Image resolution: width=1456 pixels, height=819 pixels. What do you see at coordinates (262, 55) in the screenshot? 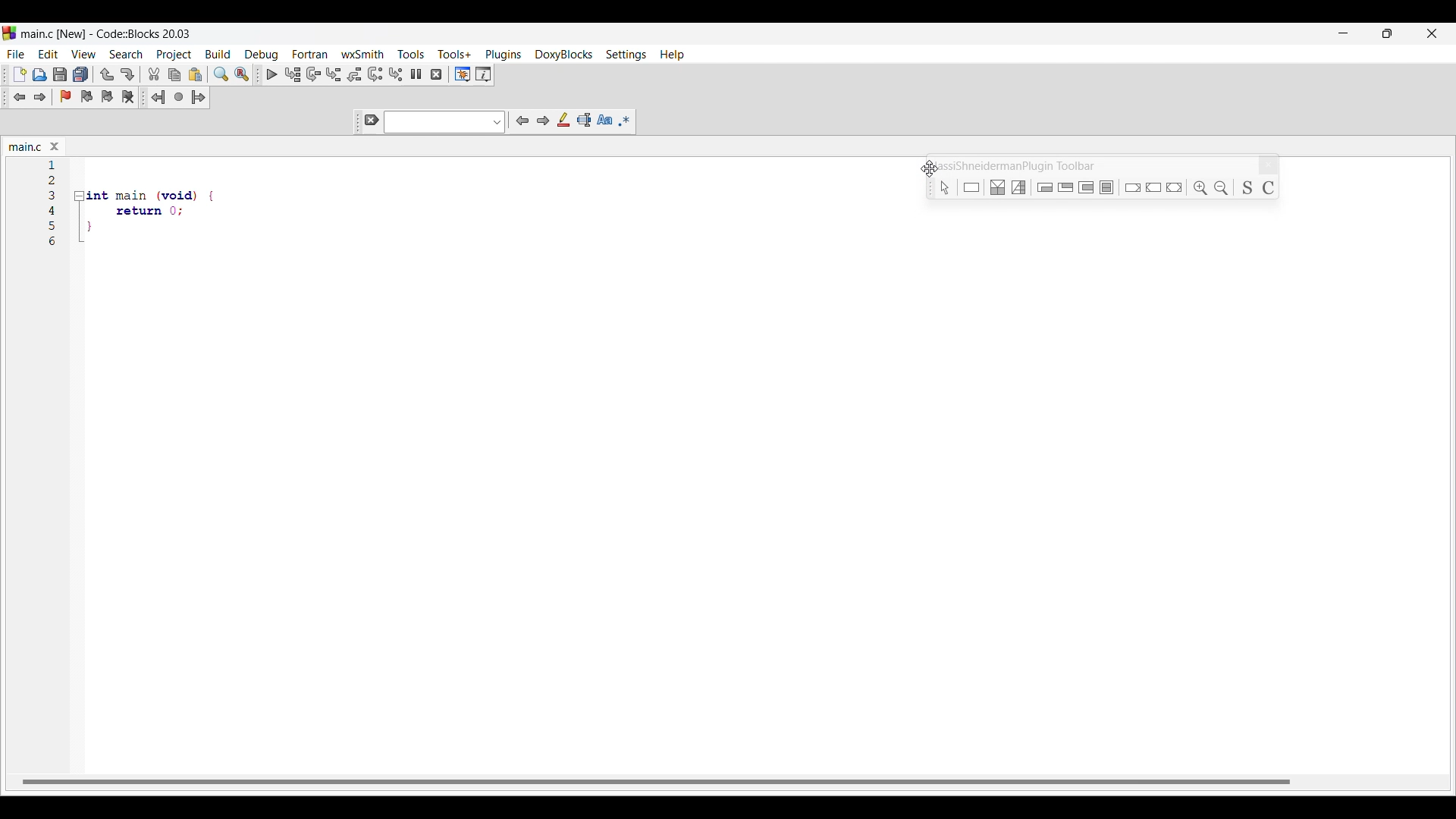
I see `Debug menu` at bounding box center [262, 55].